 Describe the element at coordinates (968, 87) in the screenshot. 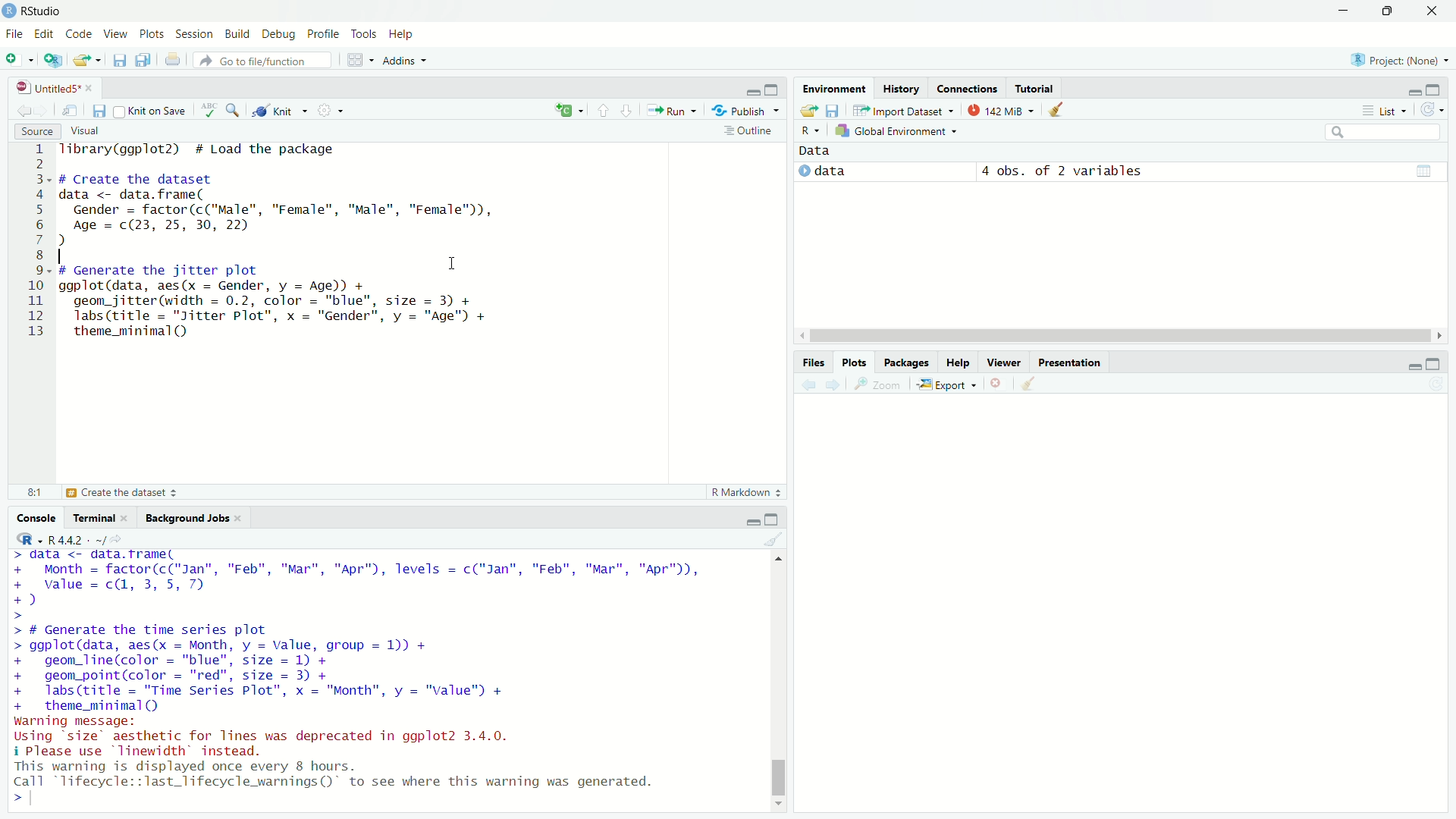

I see `connections` at that location.